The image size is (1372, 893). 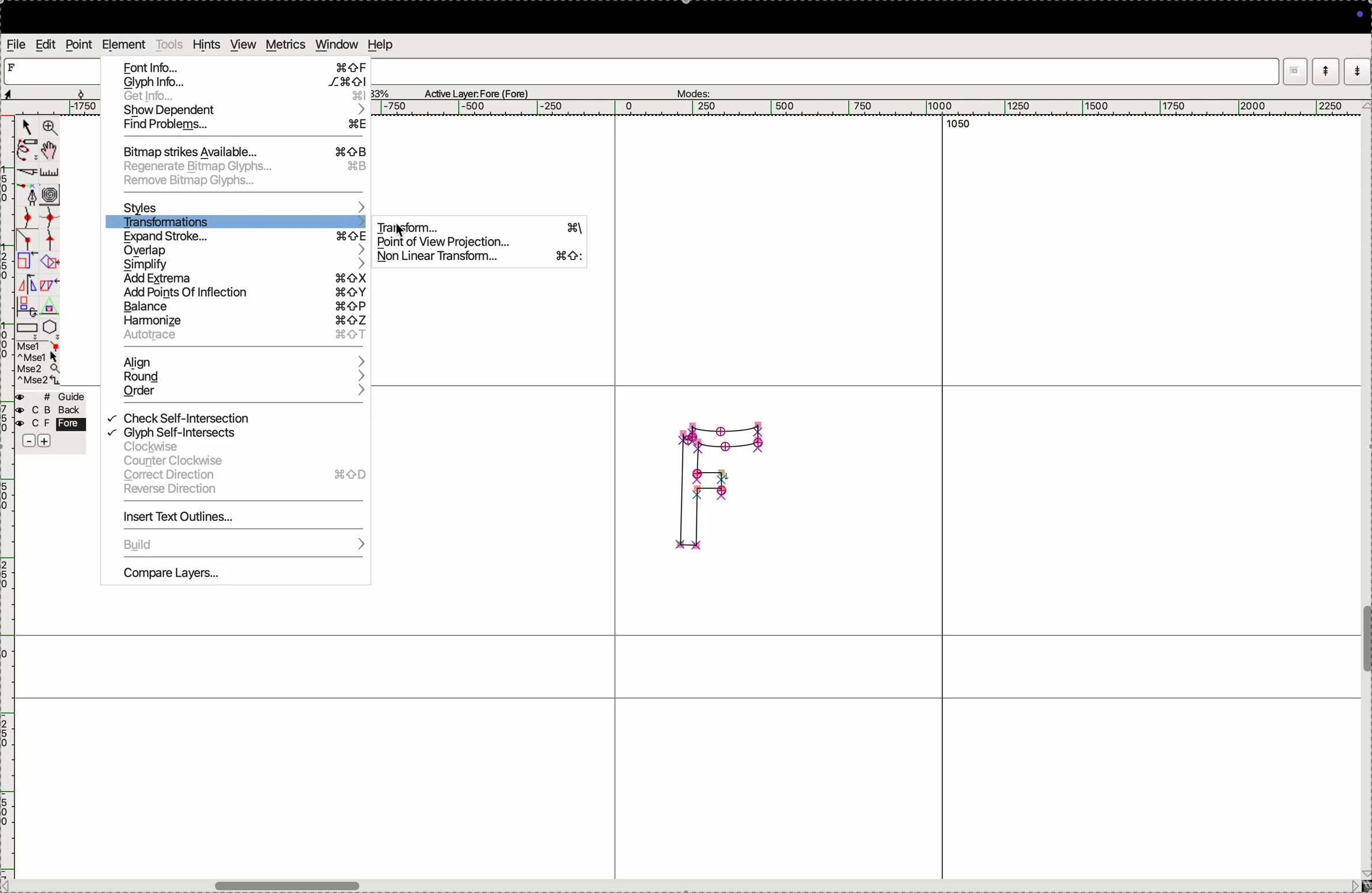 I want to click on Scale the selection, so click(x=27, y=264).